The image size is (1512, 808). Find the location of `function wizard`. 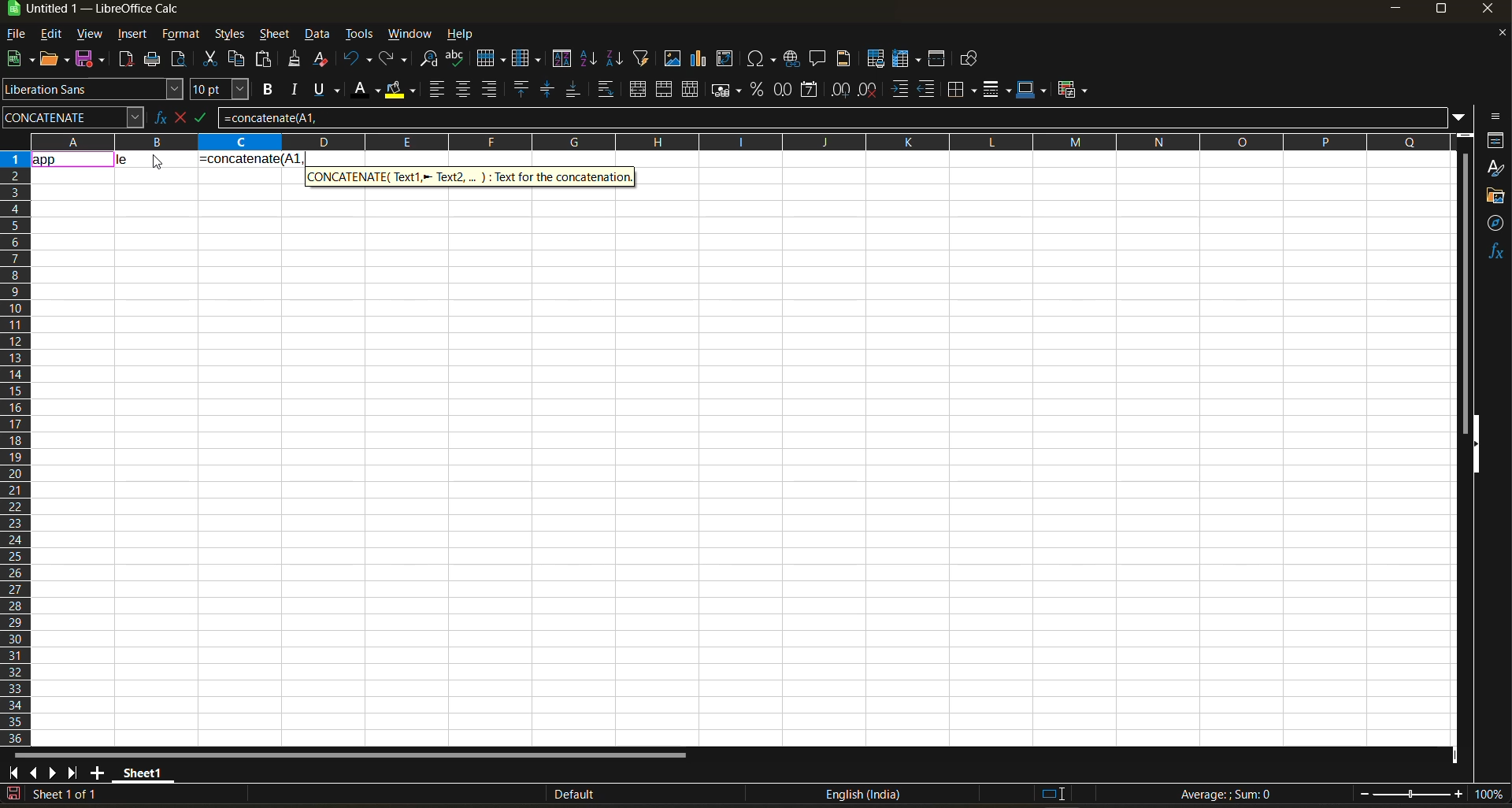

function wizard is located at coordinates (155, 117).